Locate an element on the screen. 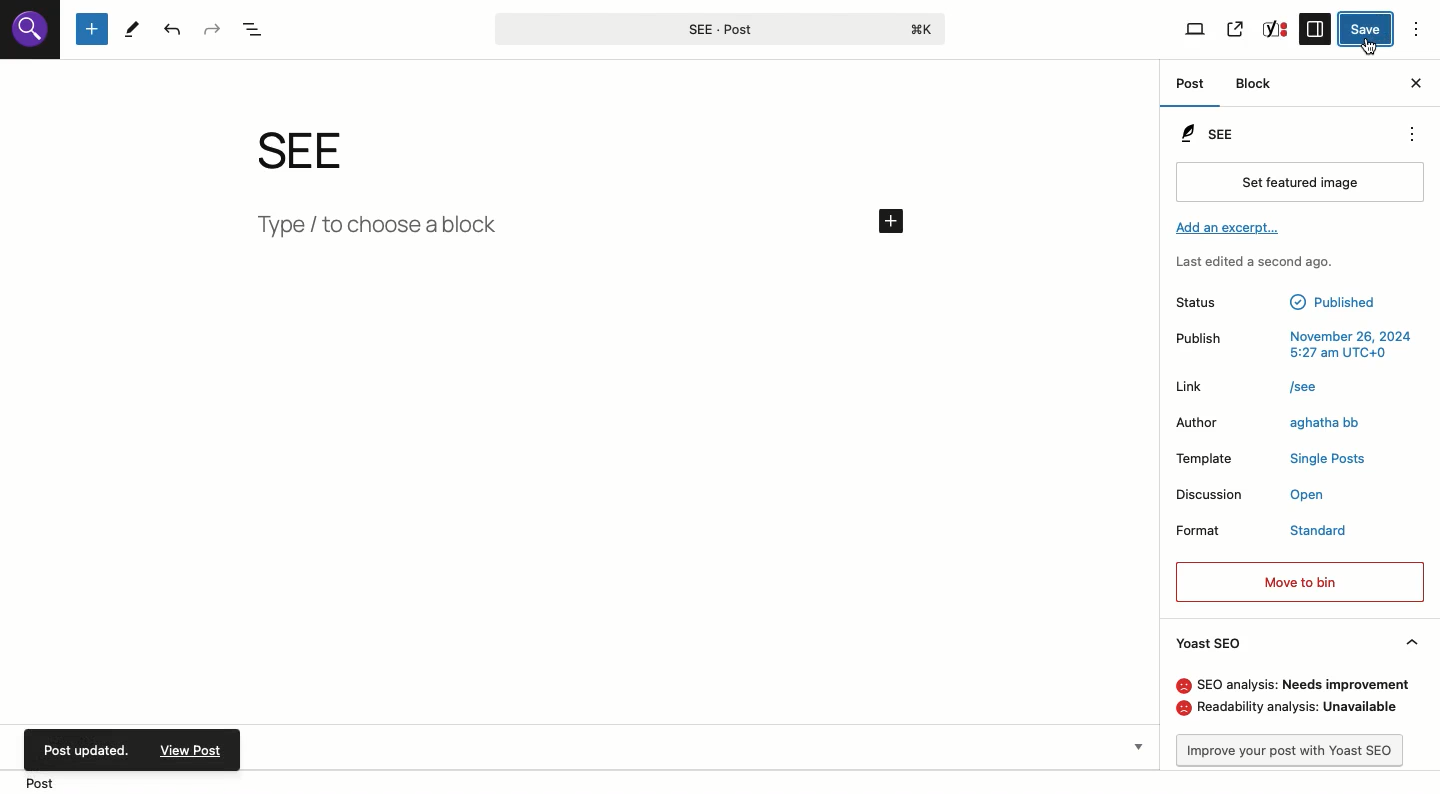 The width and height of the screenshot is (1440, 794). Close is located at coordinates (1416, 84).